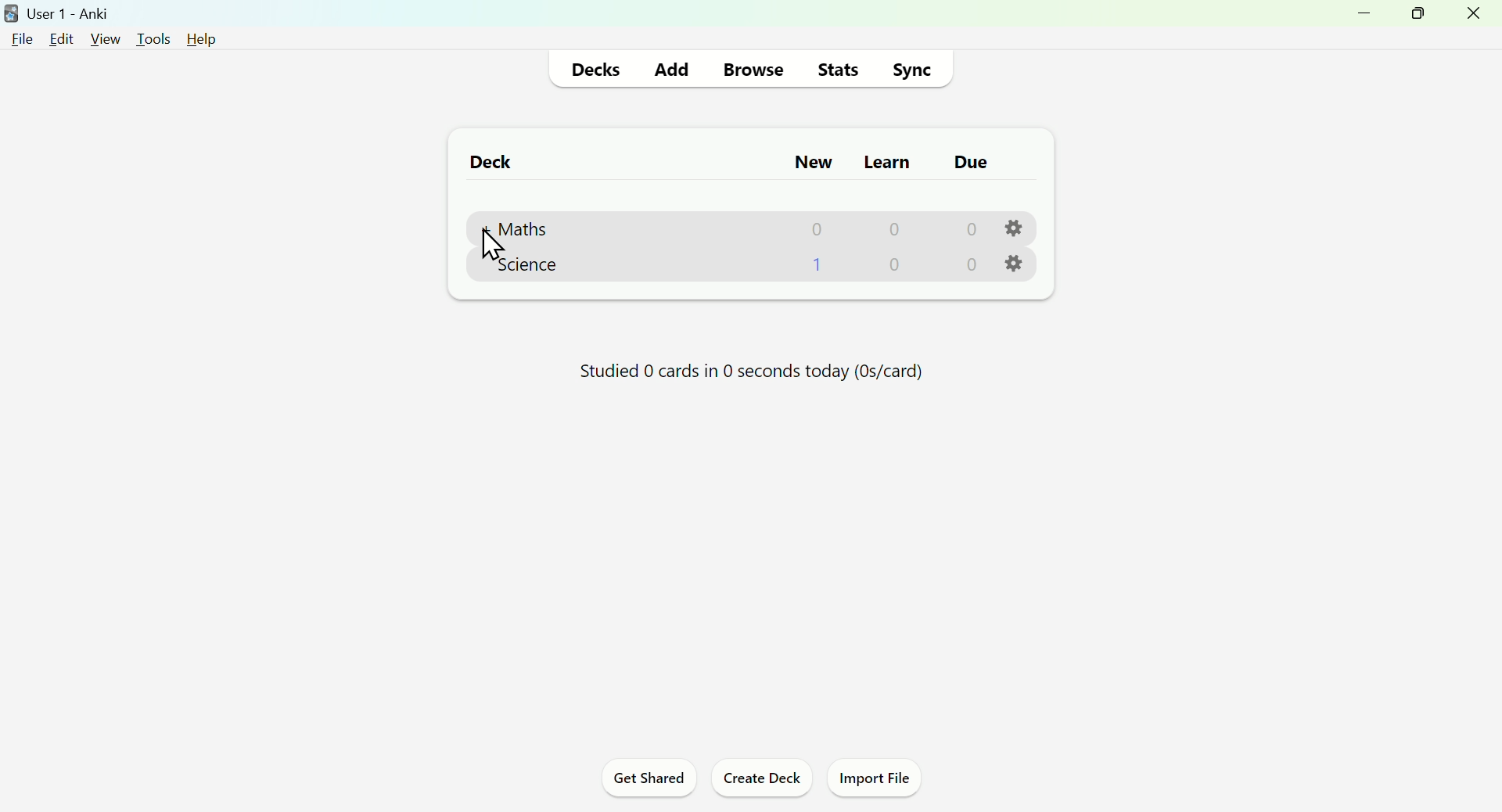 Image resolution: width=1502 pixels, height=812 pixels. What do you see at coordinates (968, 265) in the screenshot?
I see `0` at bounding box center [968, 265].